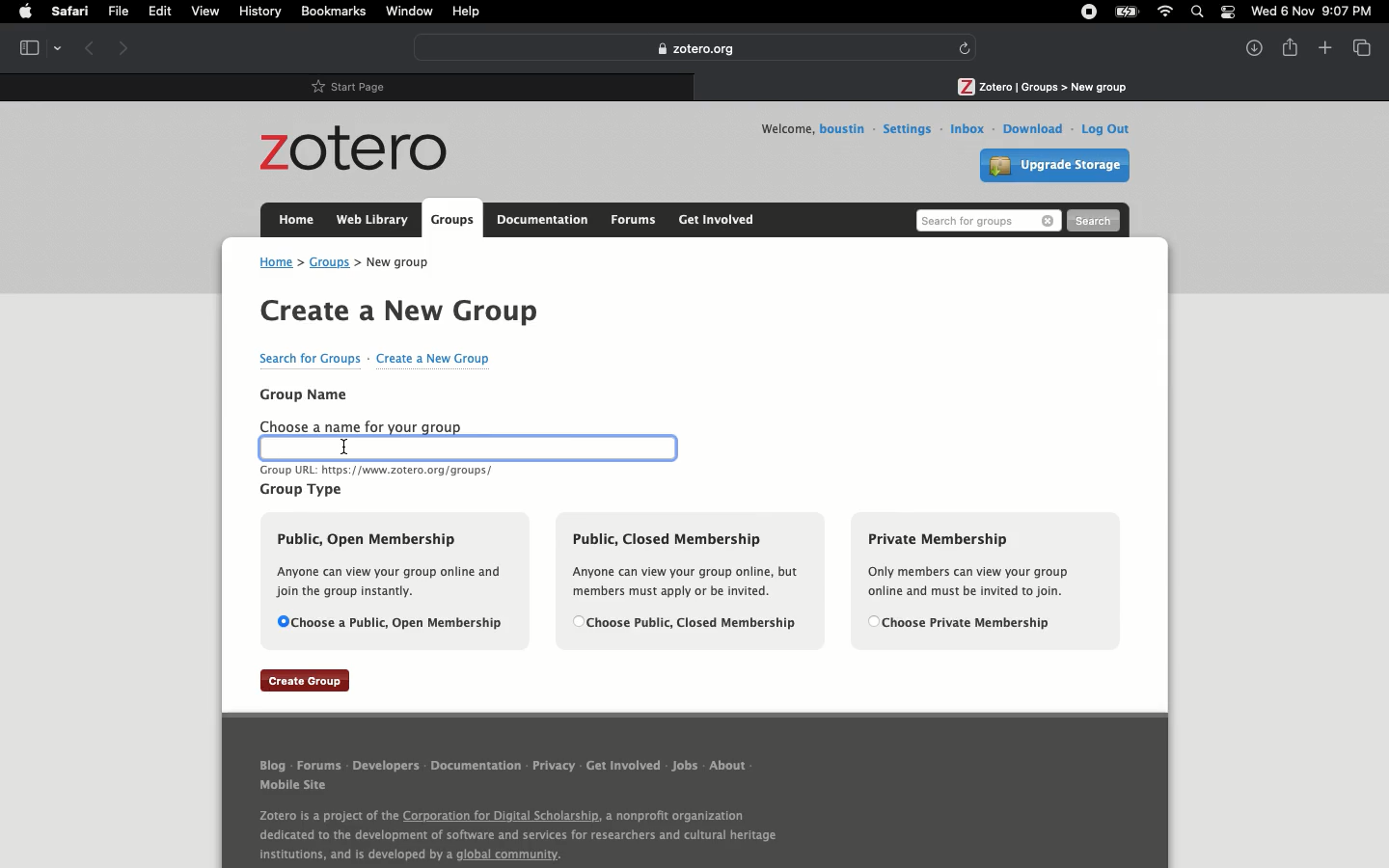 This screenshot has width=1389, height=868. What do you see at coordinates (360, 150) in the screenshot?
I see `Zotero` at bounding box center [360, 150].